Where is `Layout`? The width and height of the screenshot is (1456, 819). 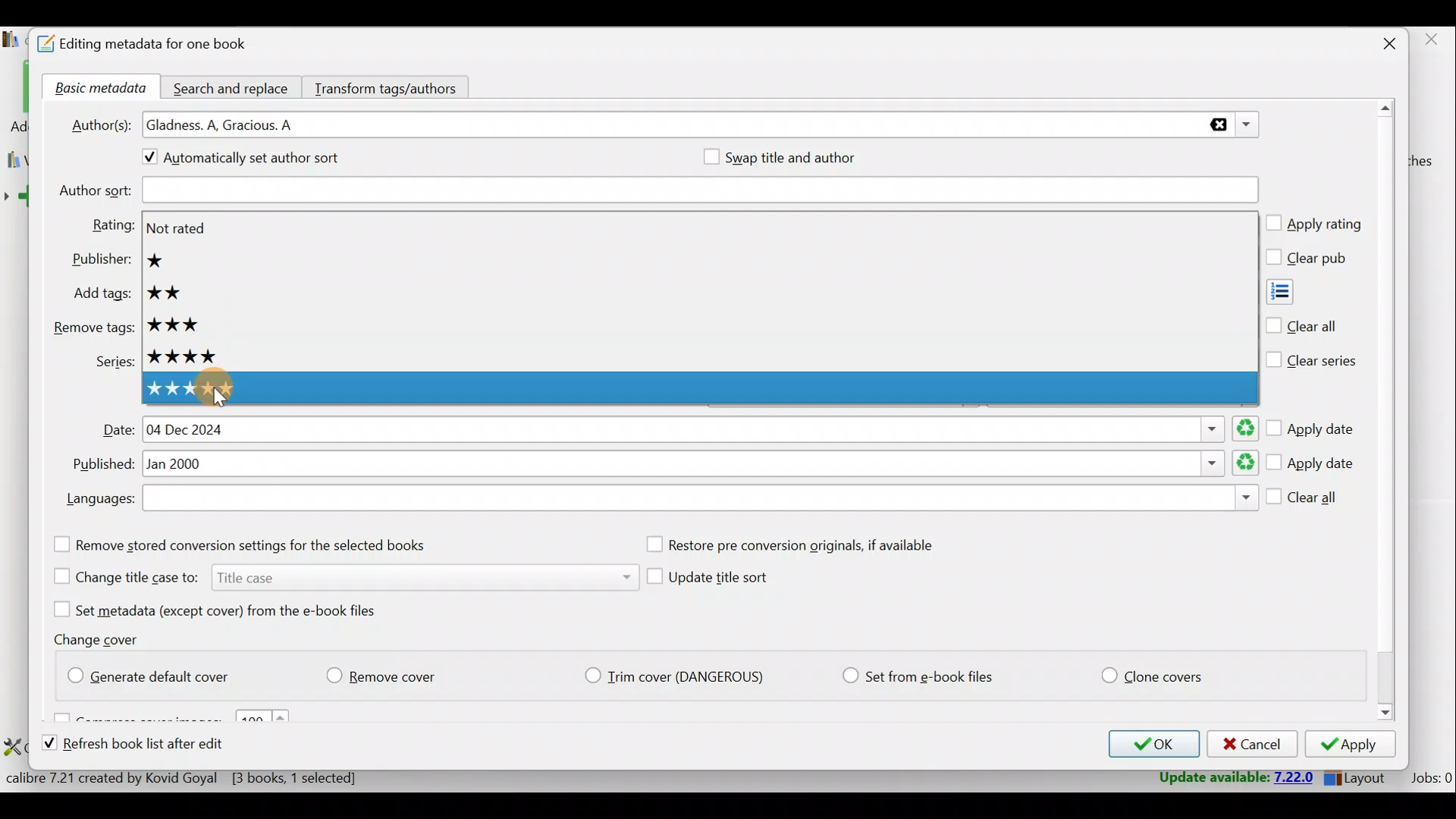 Layout is located at coordinates (1358, 775).